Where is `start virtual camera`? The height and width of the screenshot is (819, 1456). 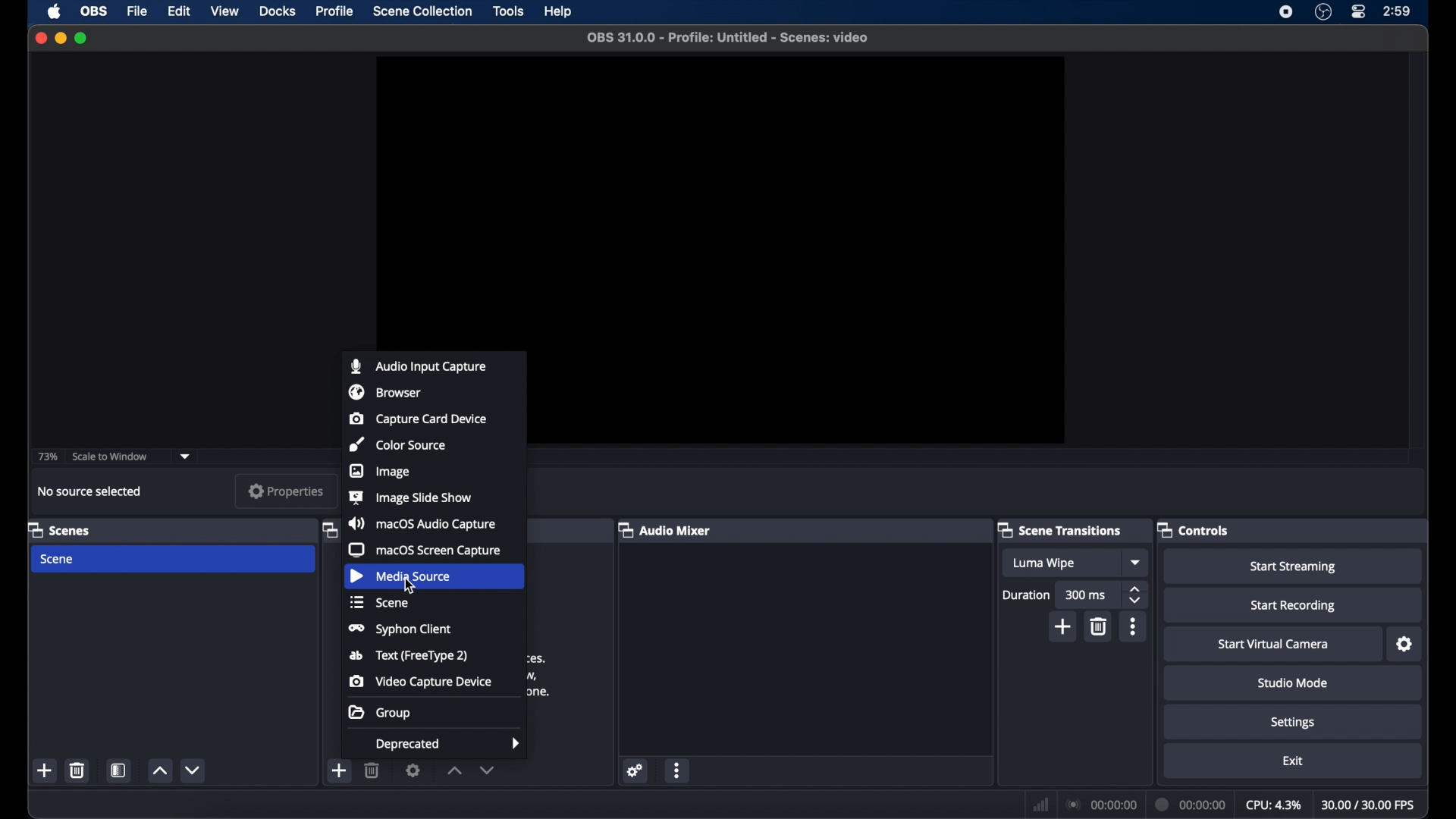 start virtual camera is located at coordinates (1274, 645).